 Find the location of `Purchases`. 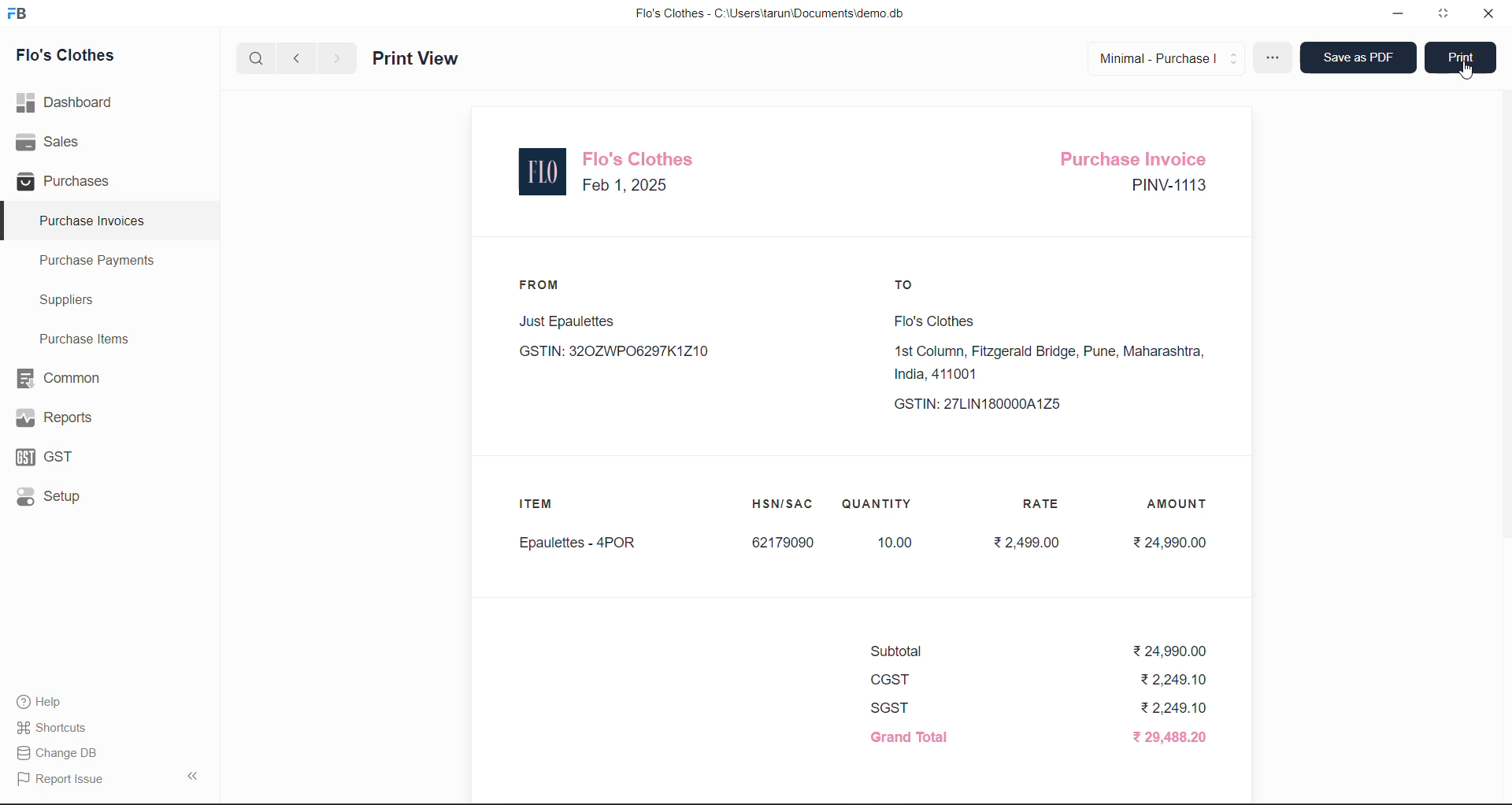

Purchases is located at coordinates (69, 180).